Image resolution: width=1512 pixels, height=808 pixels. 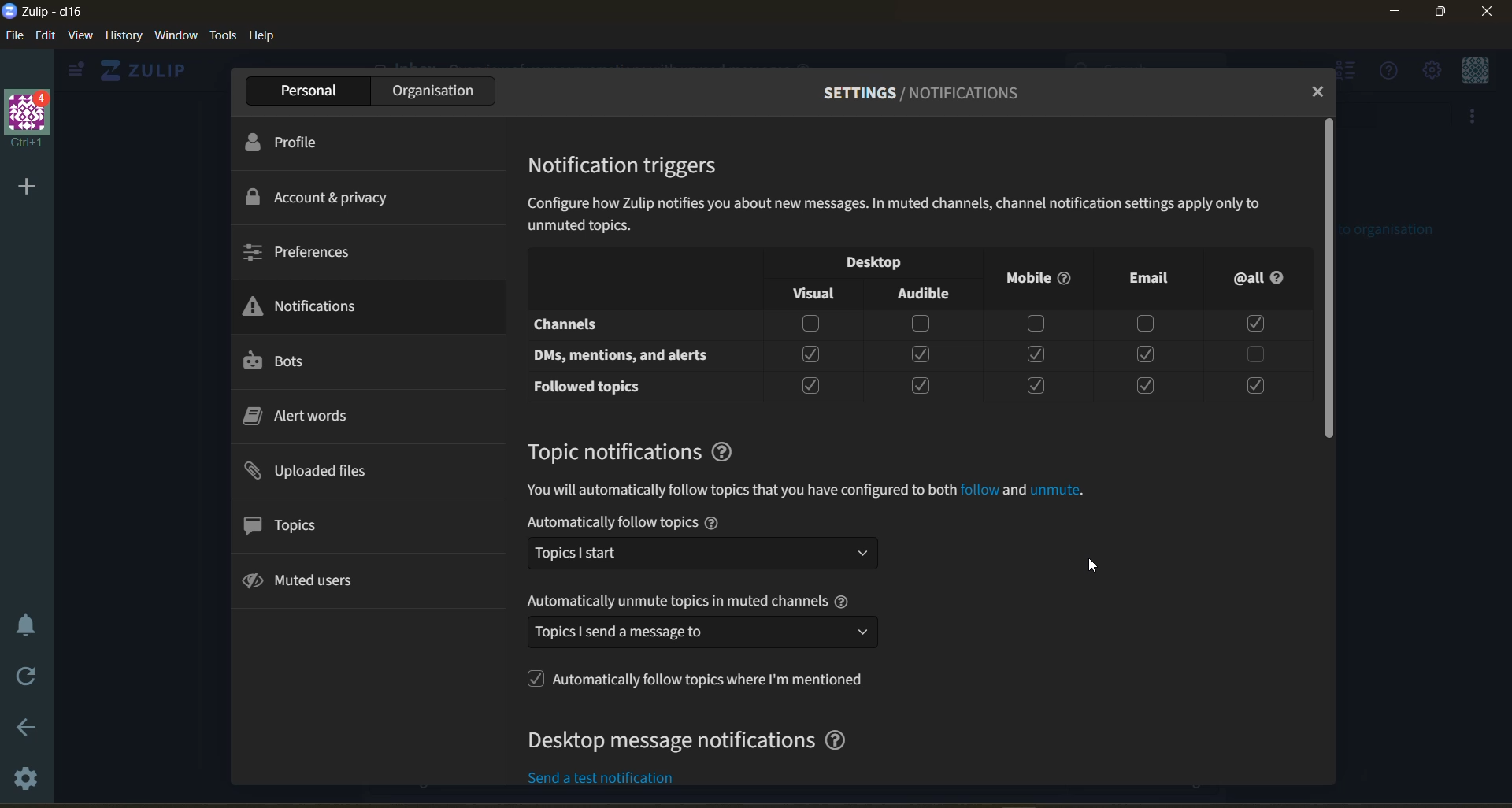 What do you see at coordinates (1148, 324) in the screenshot?
I see `Checkbox` at bounding box center [1148, 324].